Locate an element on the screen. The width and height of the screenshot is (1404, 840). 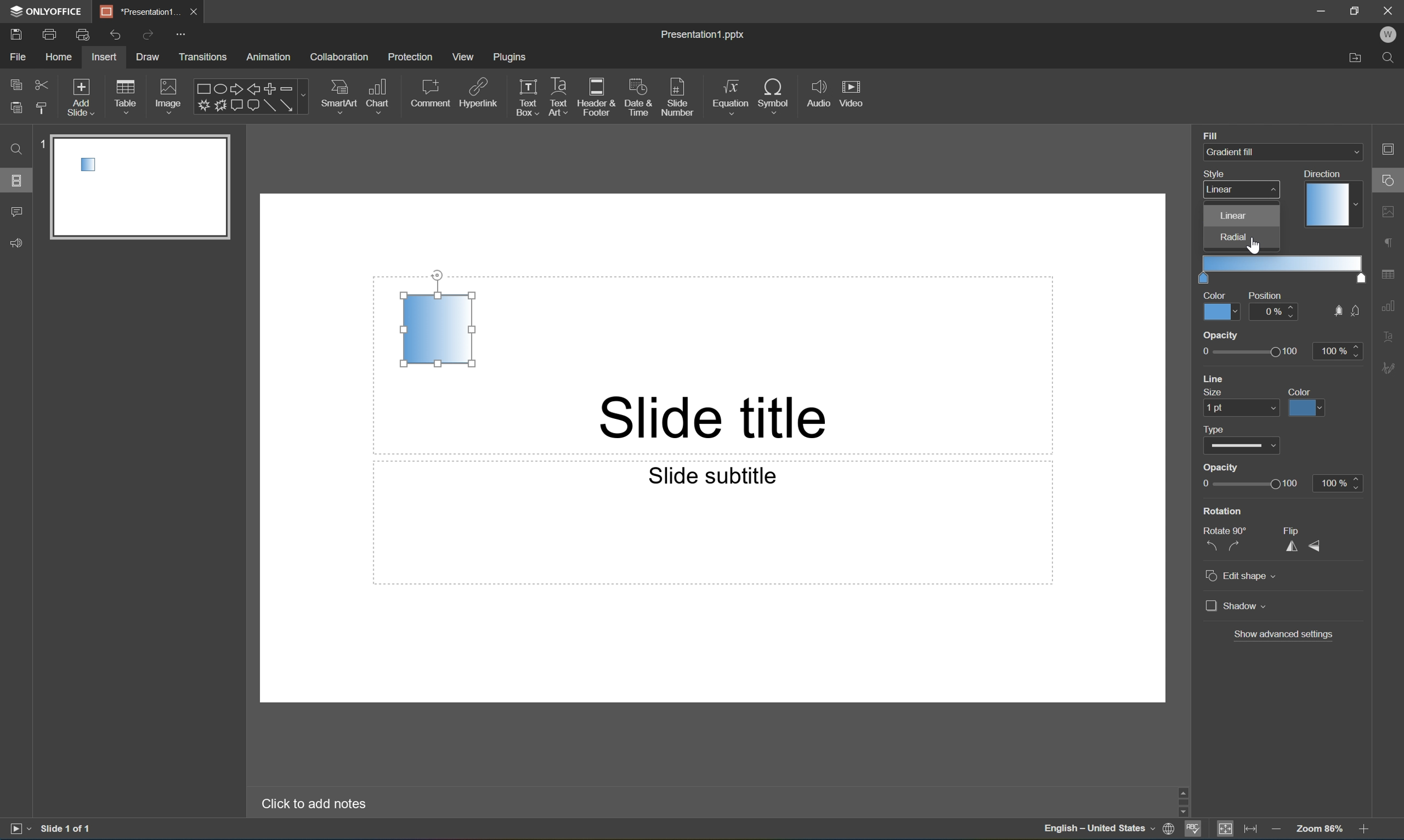
Start slideshow is located at coordinates (19, 829).